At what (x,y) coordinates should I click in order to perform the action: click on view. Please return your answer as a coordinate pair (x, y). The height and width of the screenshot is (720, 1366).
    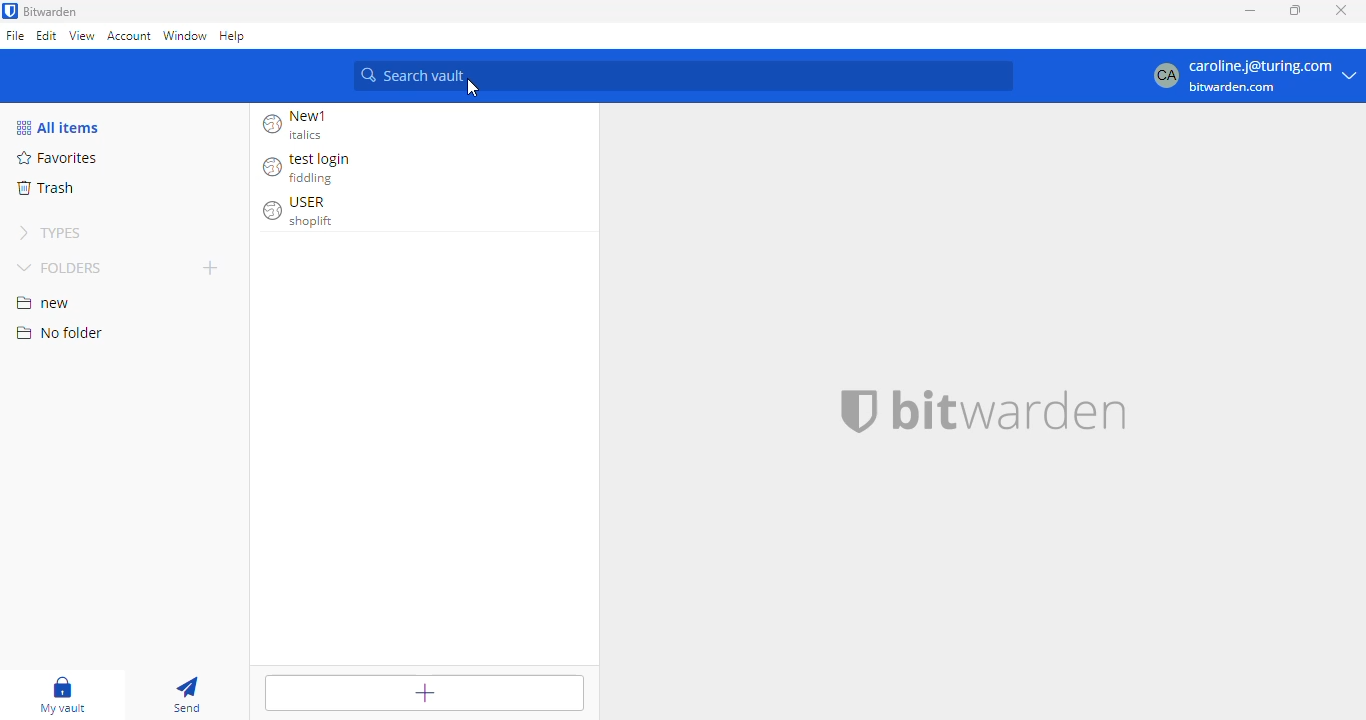
    Looking at the image, I should click on (82, 35).